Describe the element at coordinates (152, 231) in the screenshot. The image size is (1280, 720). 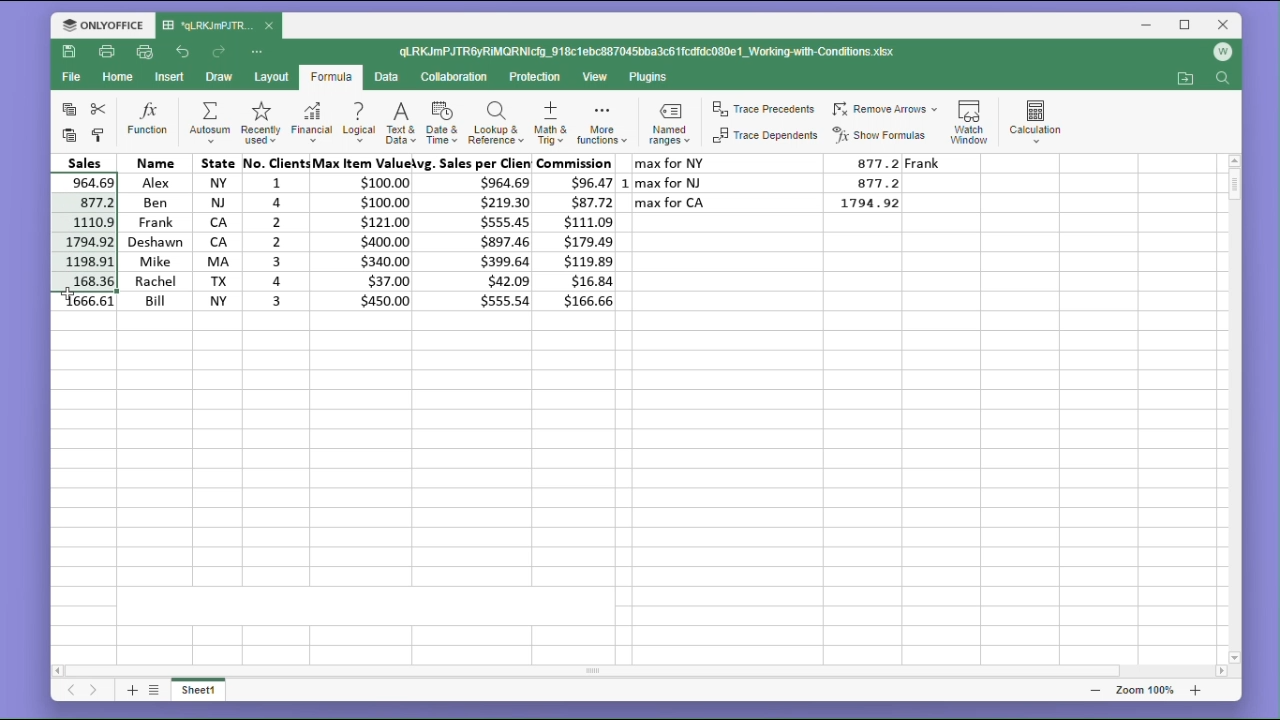
I see `names` at that location.